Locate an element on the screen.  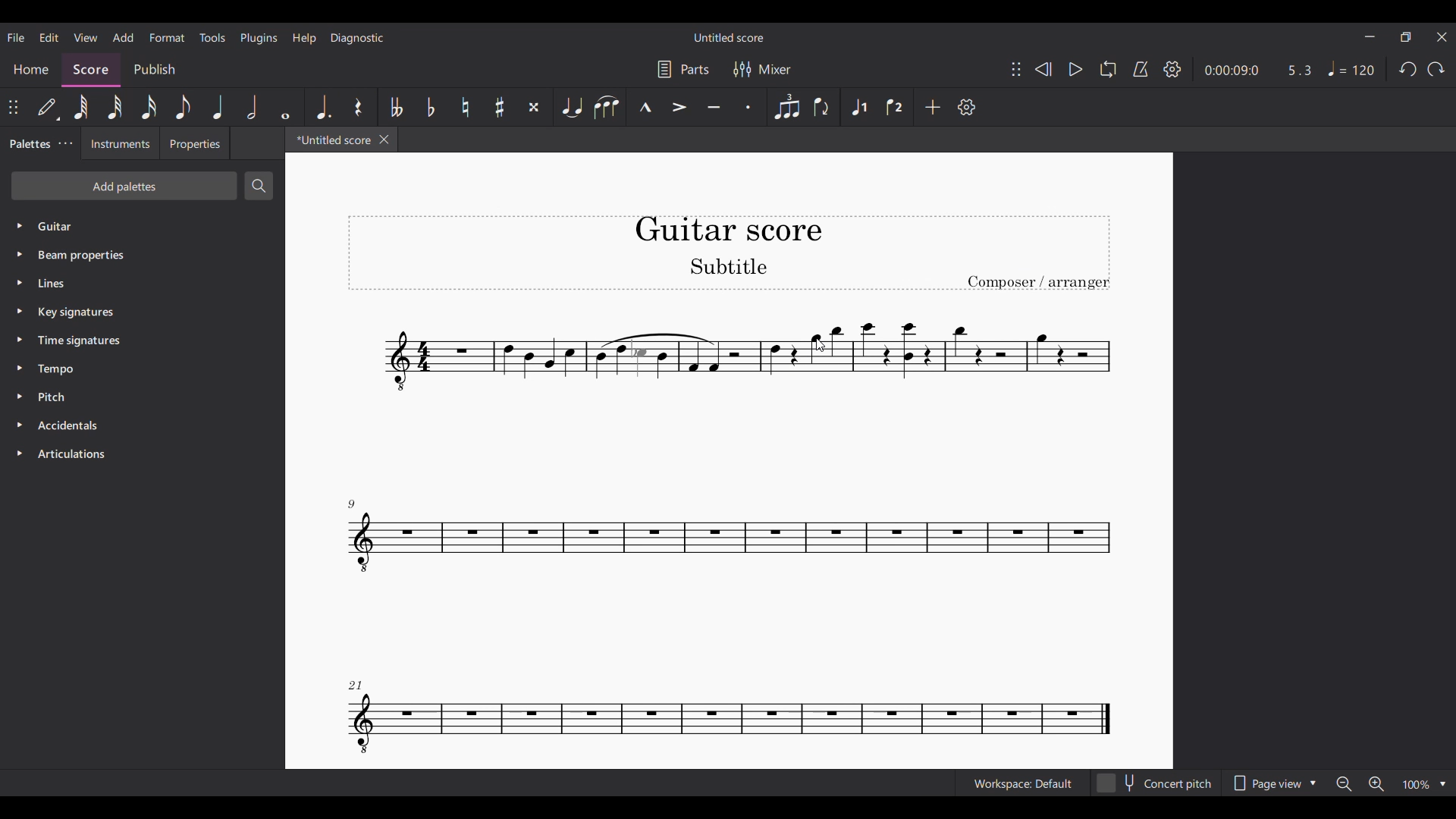
Lines palette is located at coordinates (54, 282).